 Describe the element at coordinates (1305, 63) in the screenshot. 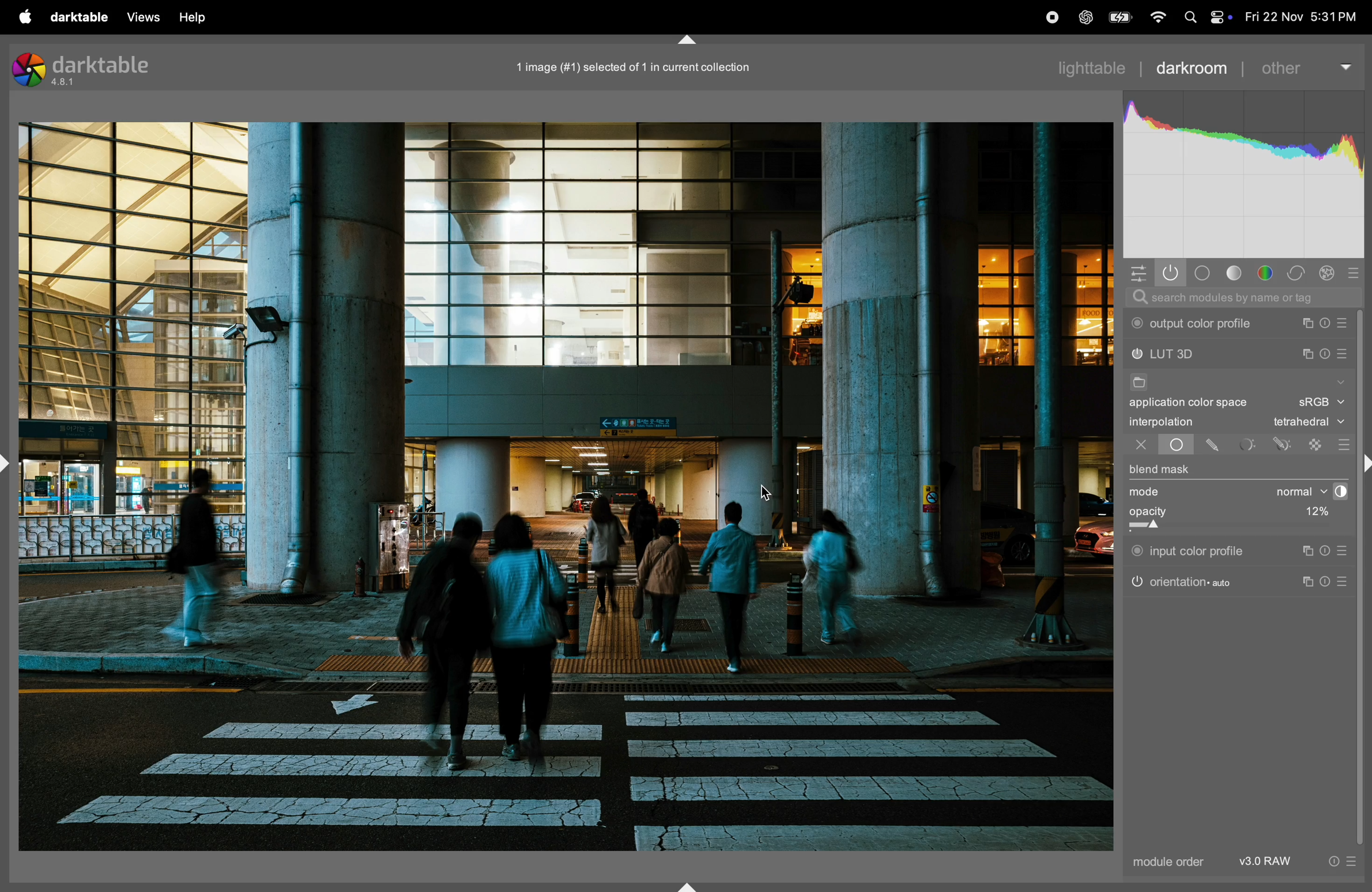

I see `other` at that location.